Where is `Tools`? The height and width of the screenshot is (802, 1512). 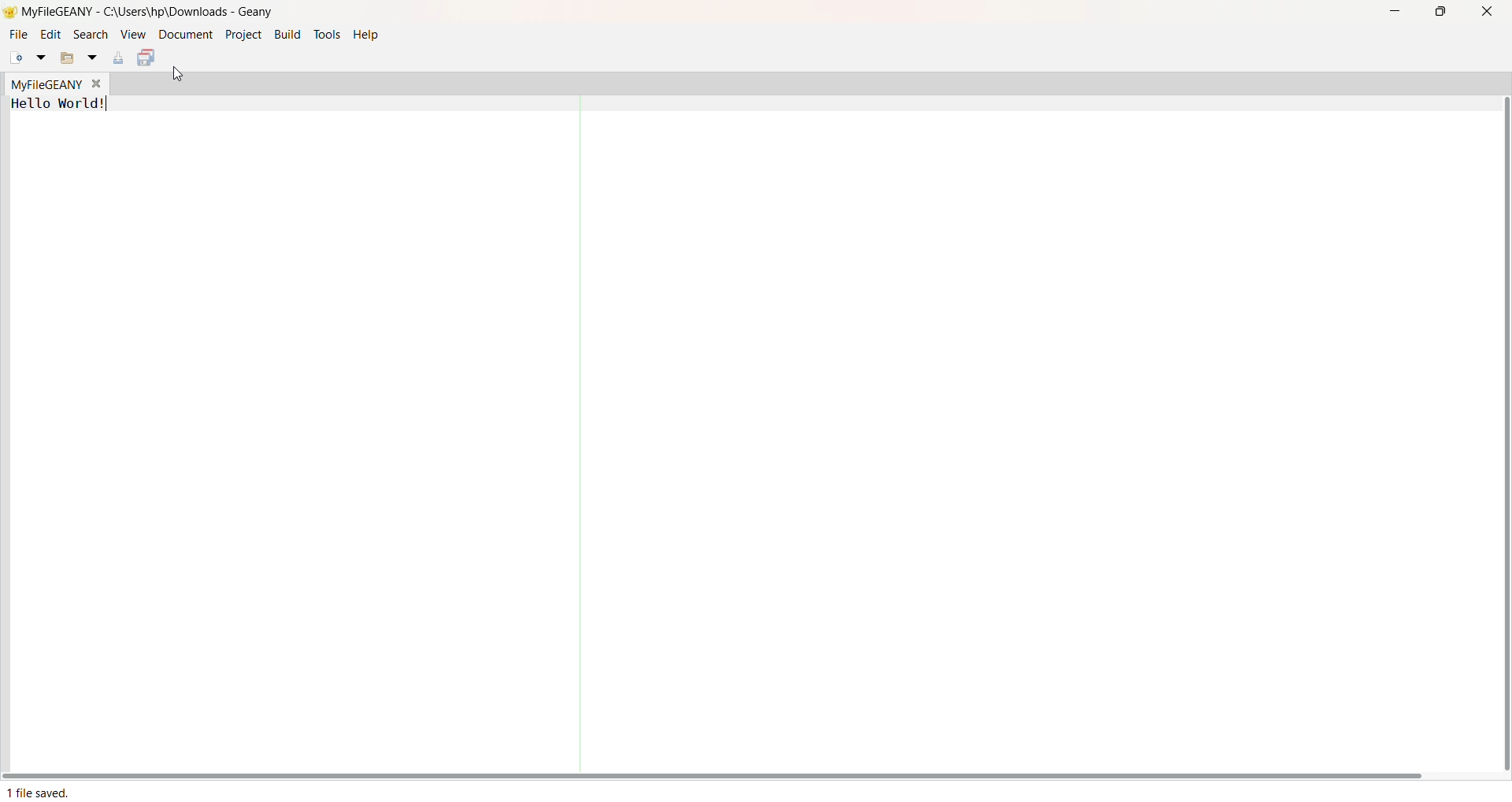 Tools is located at coordinates (328, 34).